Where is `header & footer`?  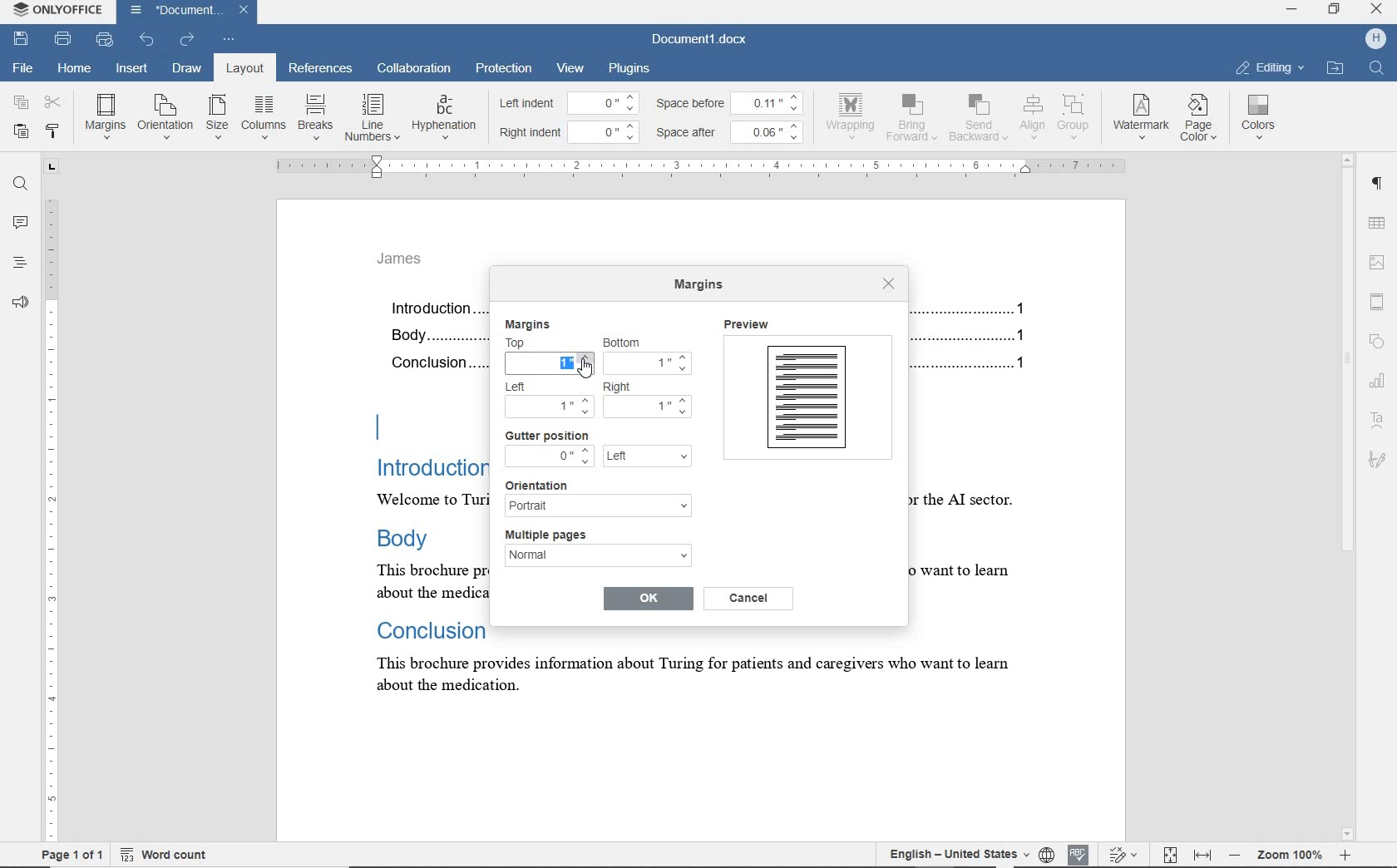
header & footer is located at coordinates (1381, 303).